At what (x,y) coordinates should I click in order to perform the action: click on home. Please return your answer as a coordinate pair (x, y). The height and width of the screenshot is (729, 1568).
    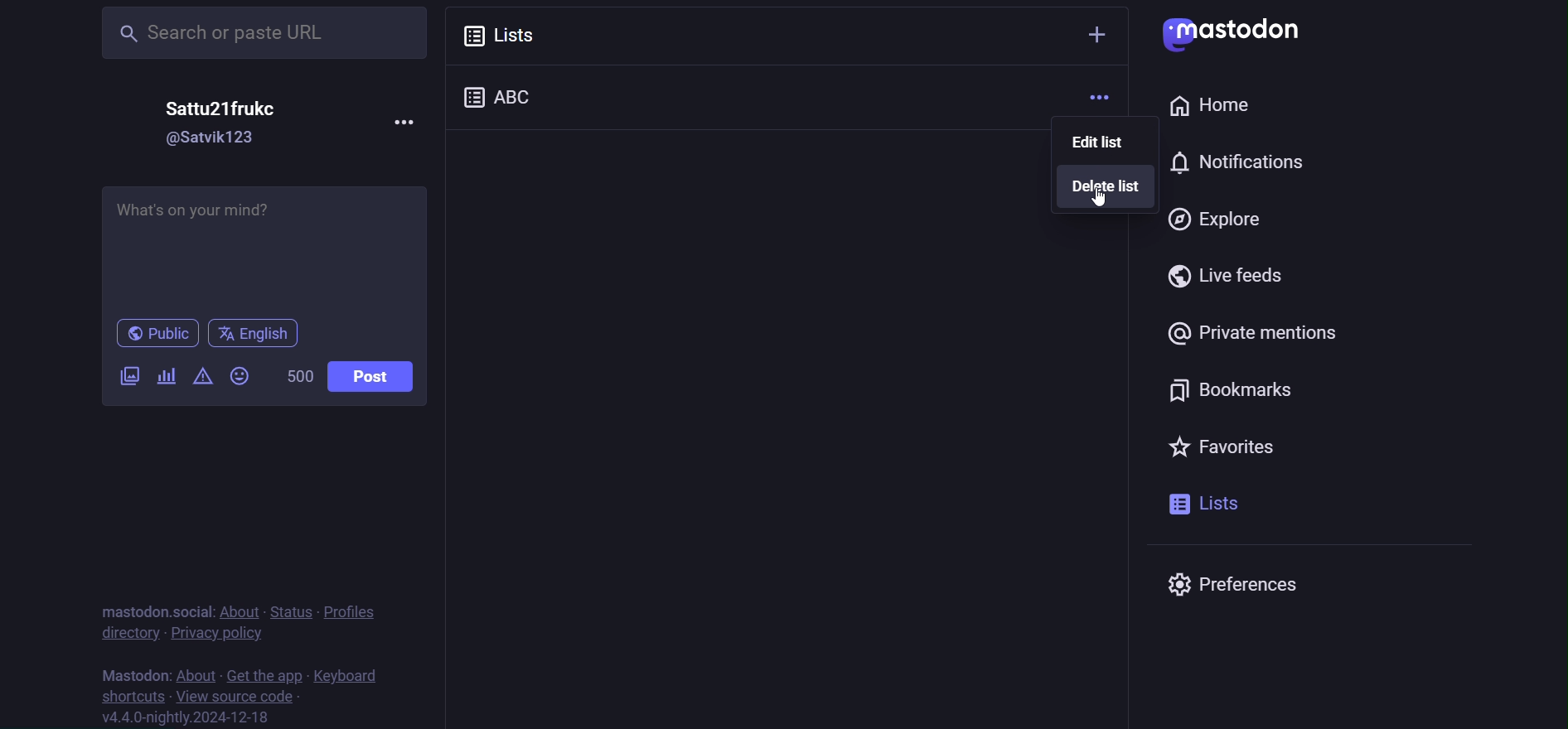
    Looking at the image, I should click on (1208, 106).